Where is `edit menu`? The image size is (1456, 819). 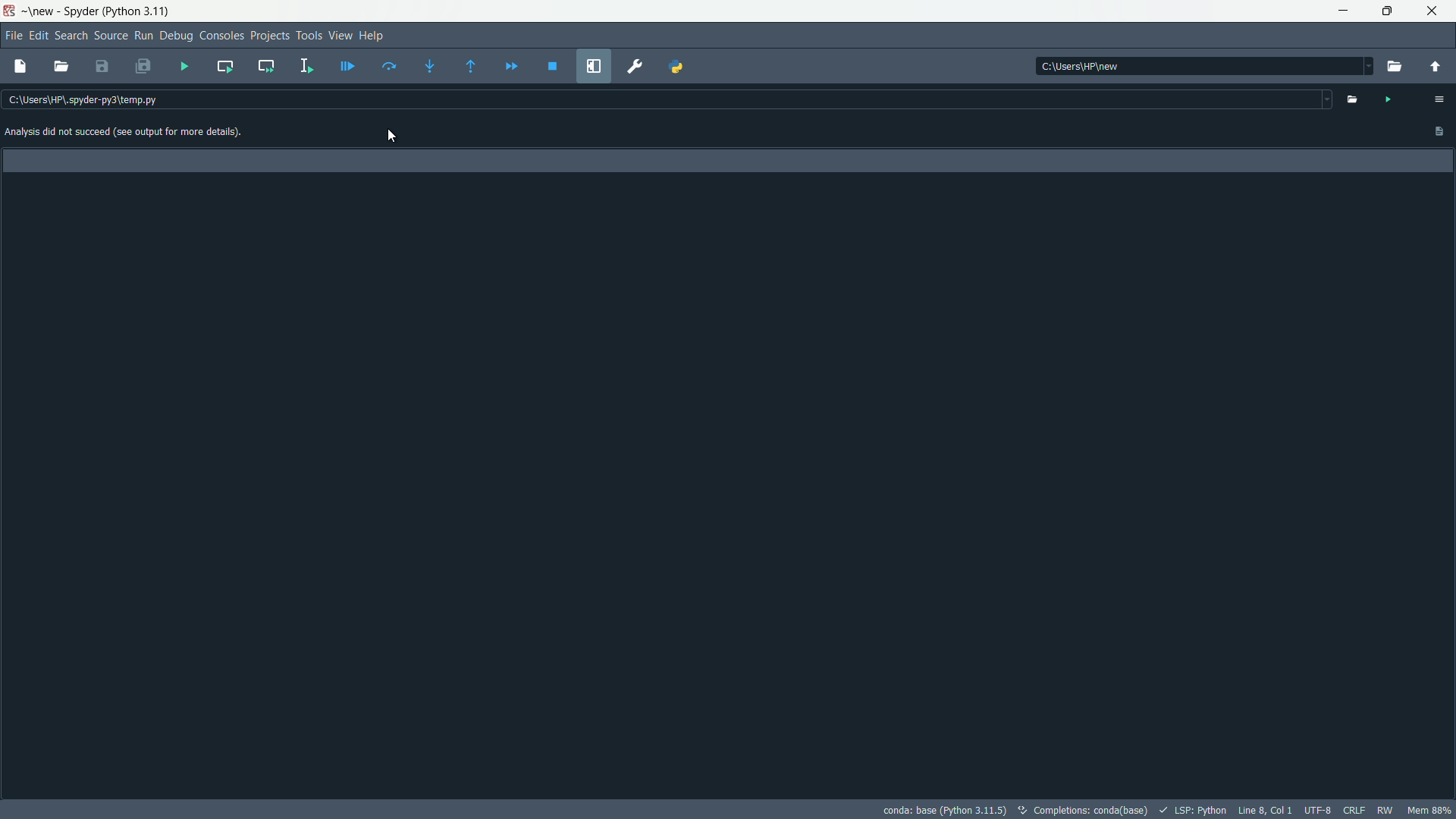 edit menu is located at coordinates (34, 36).